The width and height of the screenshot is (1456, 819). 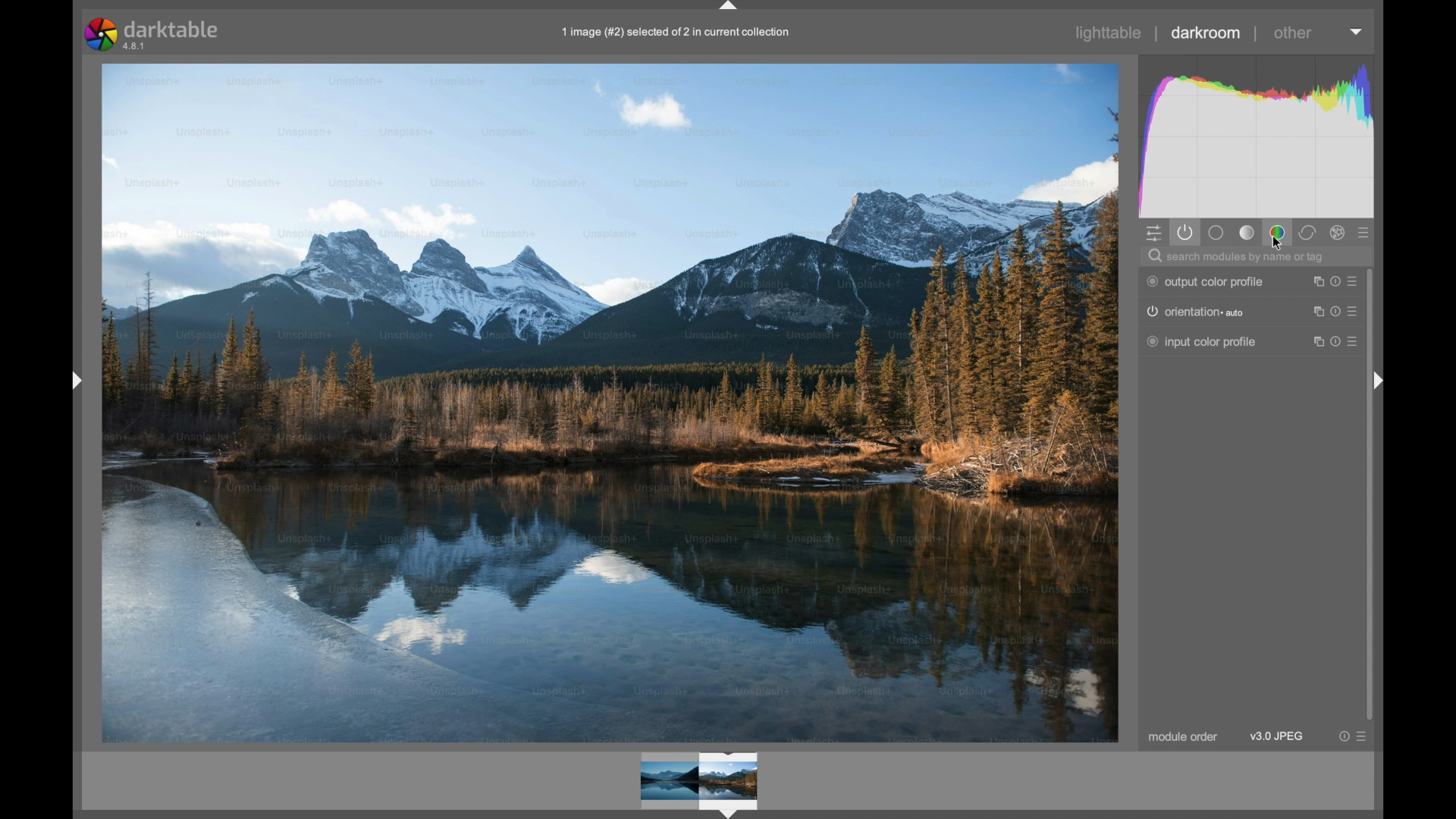 What do you see at coordinates (1256, 35) in the screenshot?
I see `separator` at bounding box center [1256, 35].